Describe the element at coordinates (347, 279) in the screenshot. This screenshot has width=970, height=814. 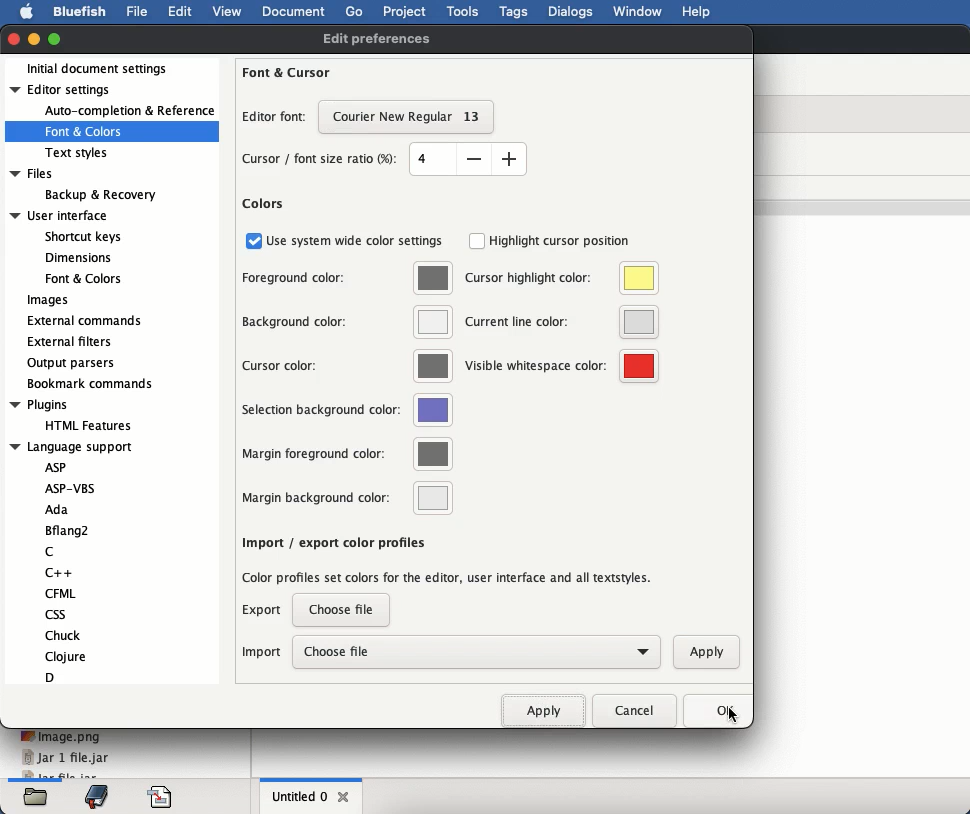
I see `foreground color` at that location.